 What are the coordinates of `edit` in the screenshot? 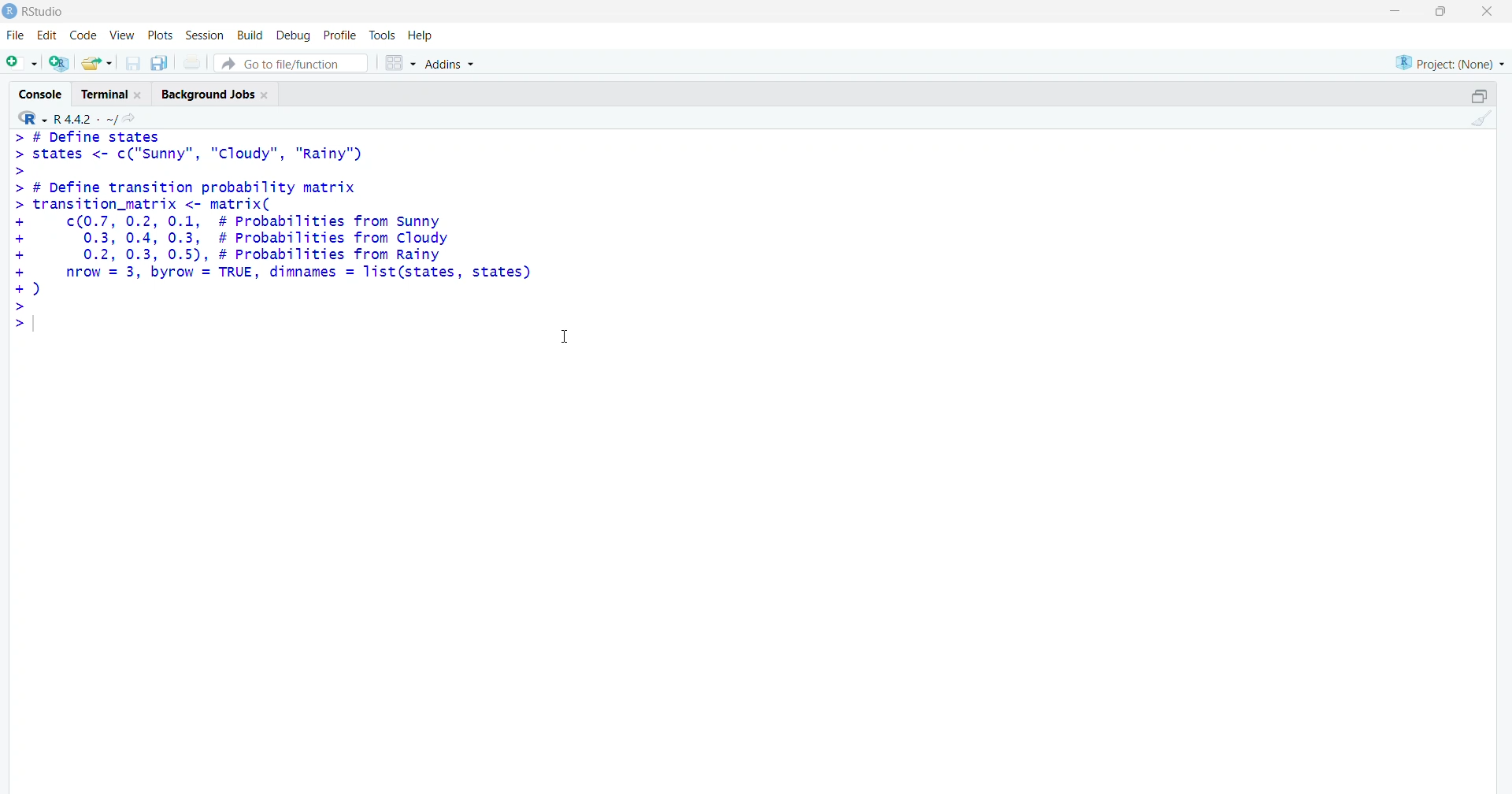 It's located at (48, 33).